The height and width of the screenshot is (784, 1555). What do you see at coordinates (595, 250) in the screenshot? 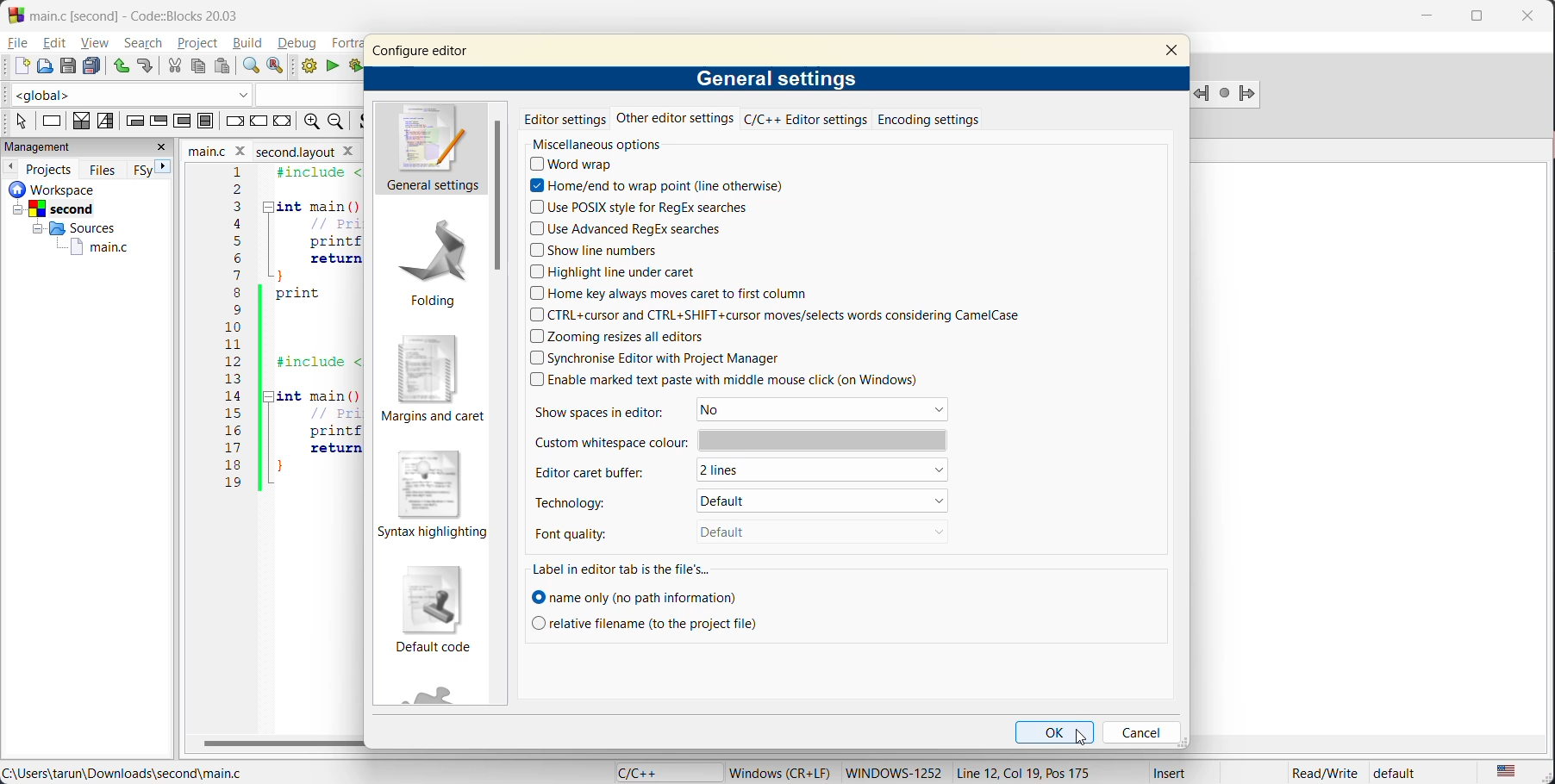
I see `show line numbers` at bounding box center [595, 250].